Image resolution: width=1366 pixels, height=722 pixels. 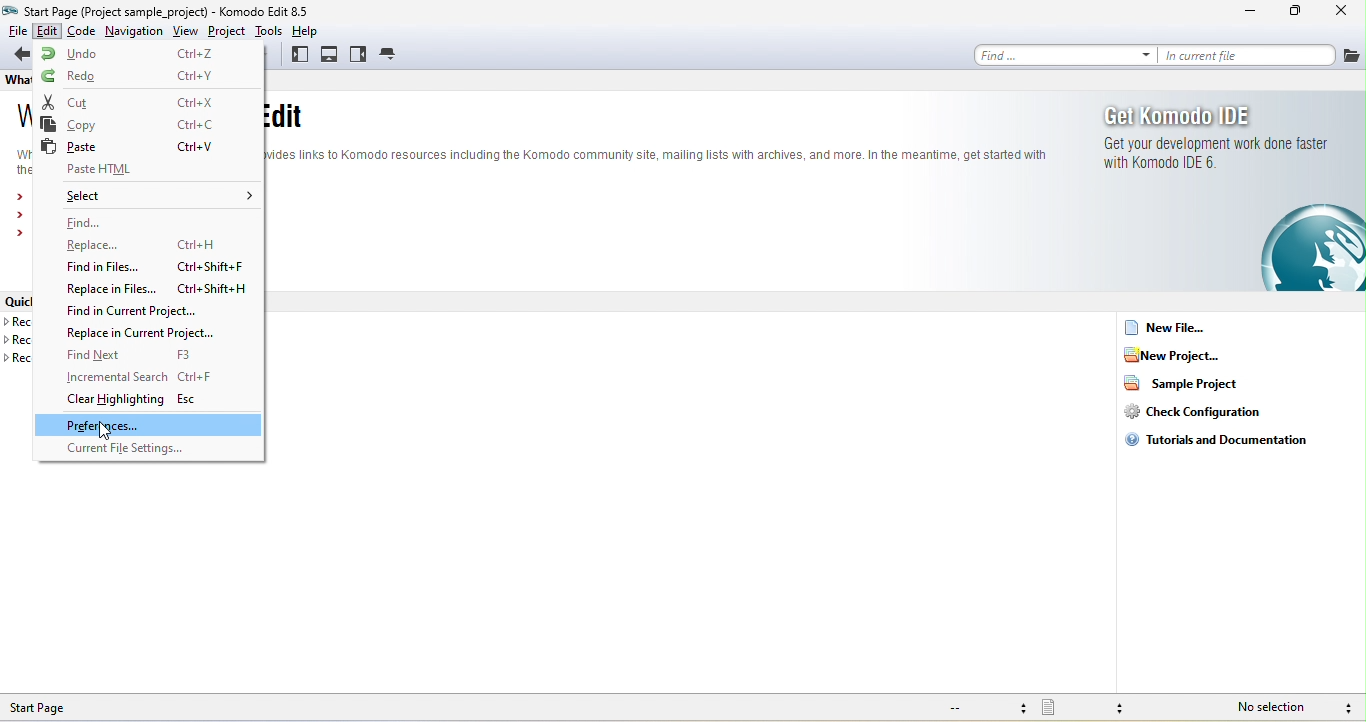 What do you see at coordinates (152, 376) in the screenshot?
I see `incremental searh` at bounding box center [152, 376].